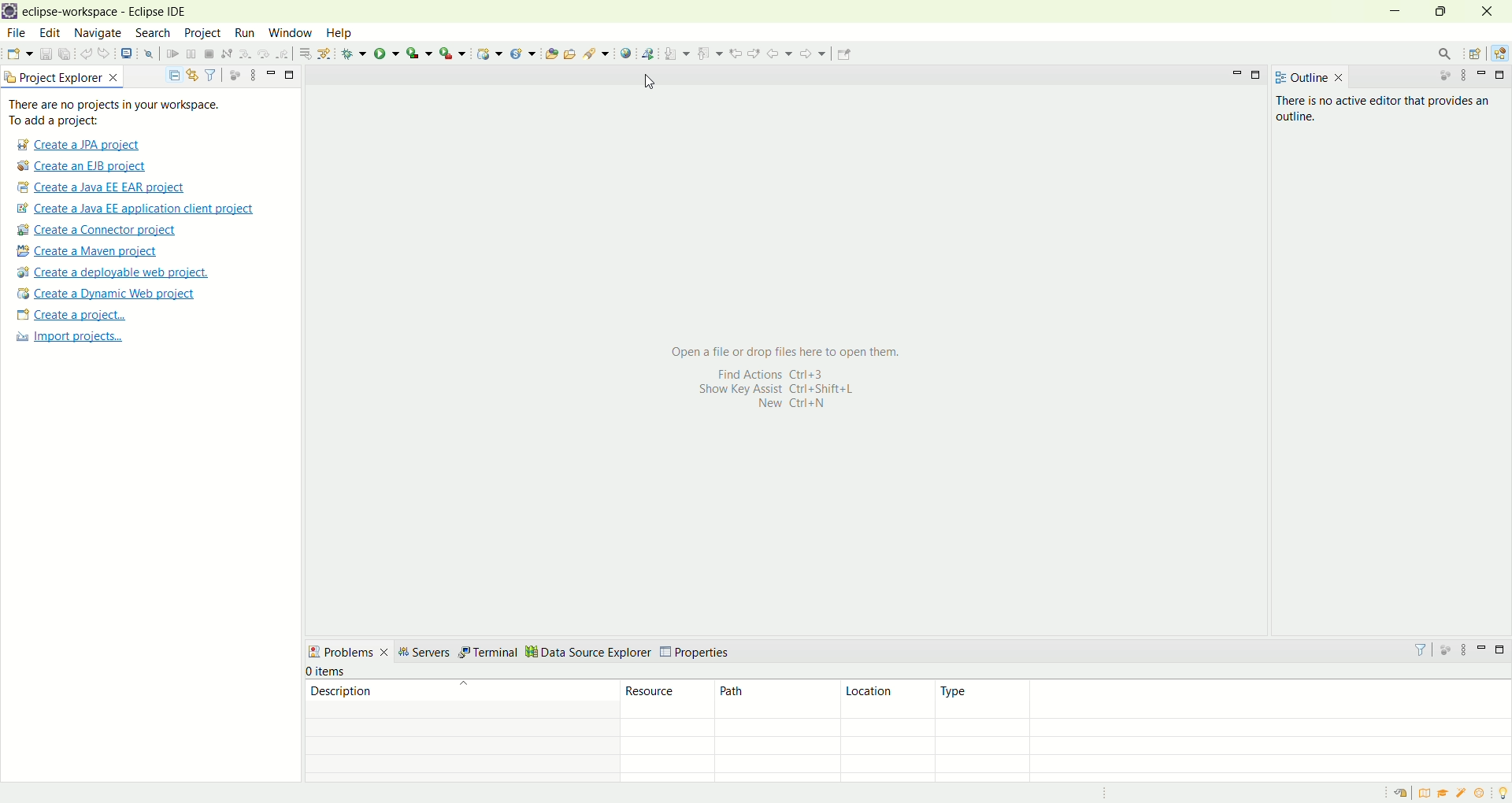  I want to click on properties, so click(696, 653).